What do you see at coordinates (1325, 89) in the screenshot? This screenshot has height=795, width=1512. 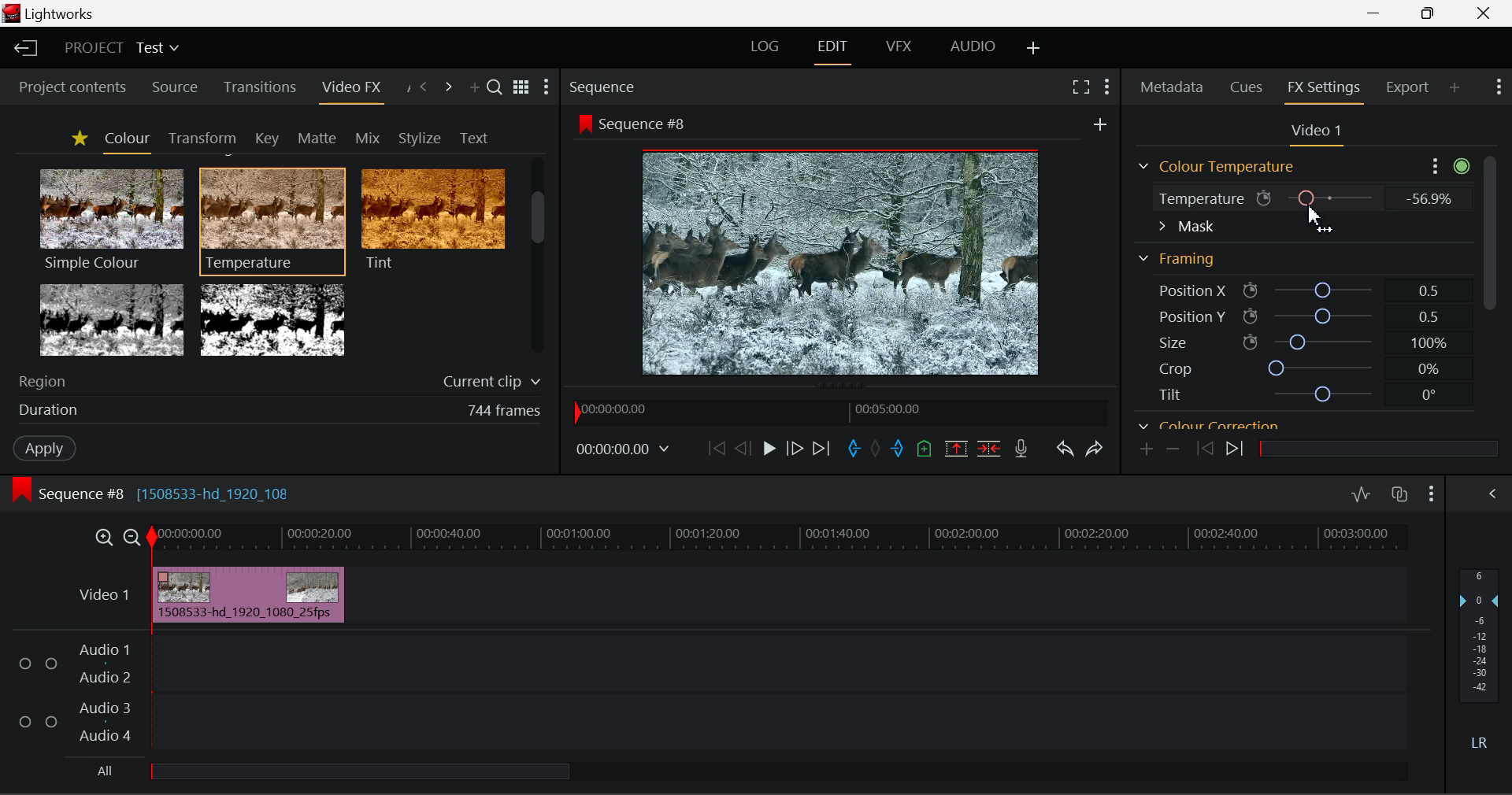 I see `FX Settings Open` at bounding box center [1325, 89].